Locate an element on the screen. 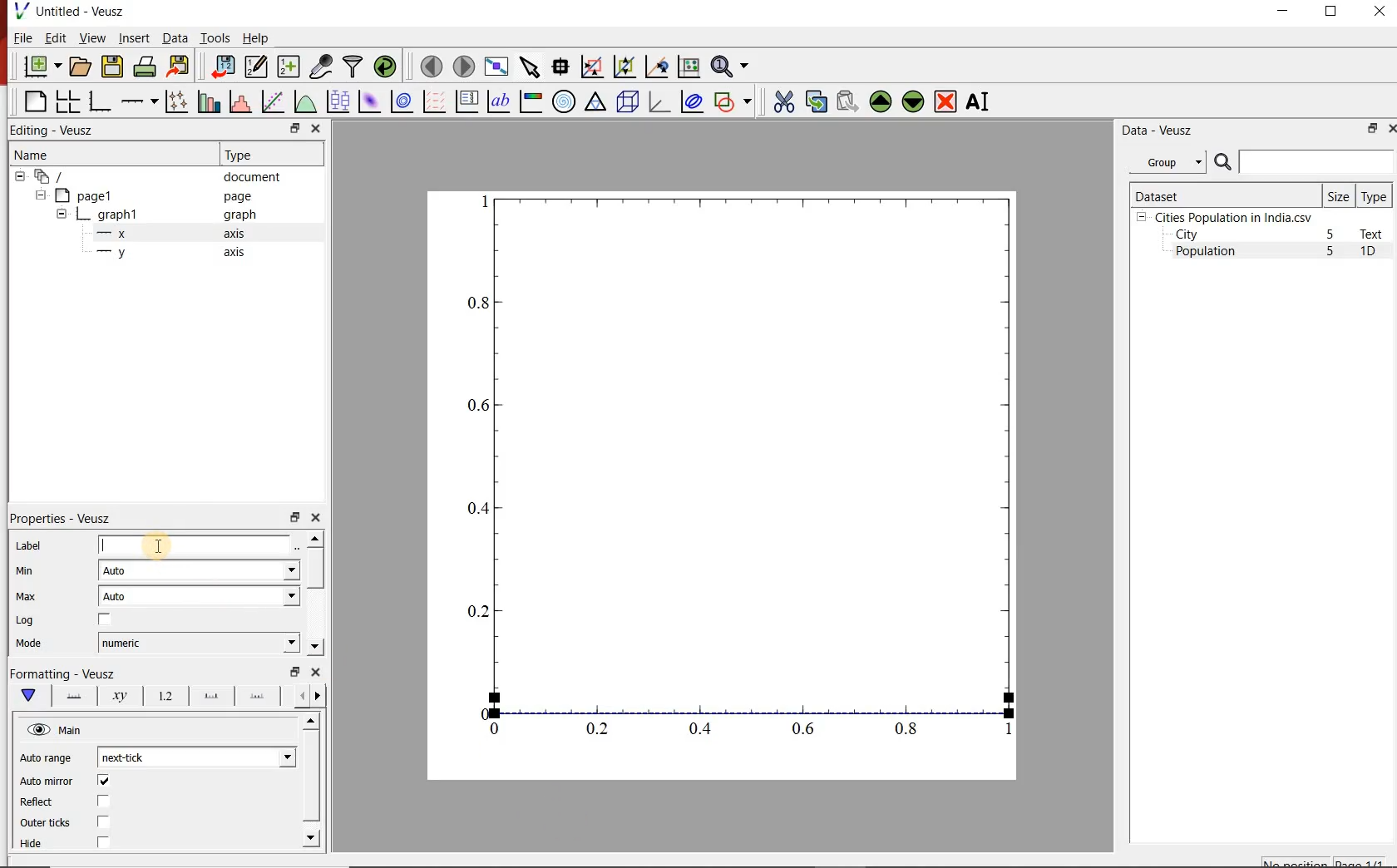 The width and height of the screenshot is (1397, 868). input field is located at coordinates (199, 545).